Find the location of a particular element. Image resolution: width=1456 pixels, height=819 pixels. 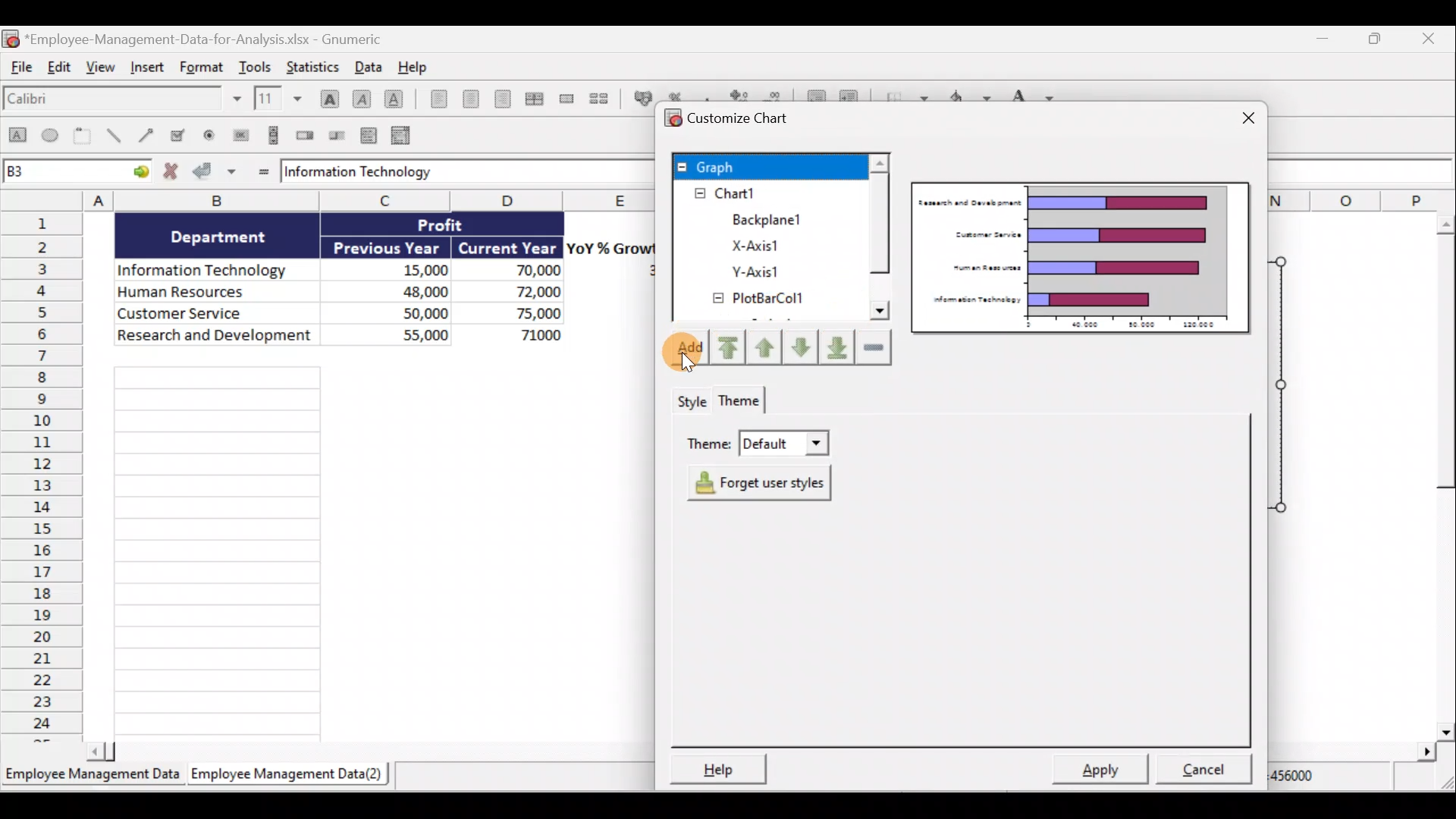

Enter formula is located at coordinates (262, 173).